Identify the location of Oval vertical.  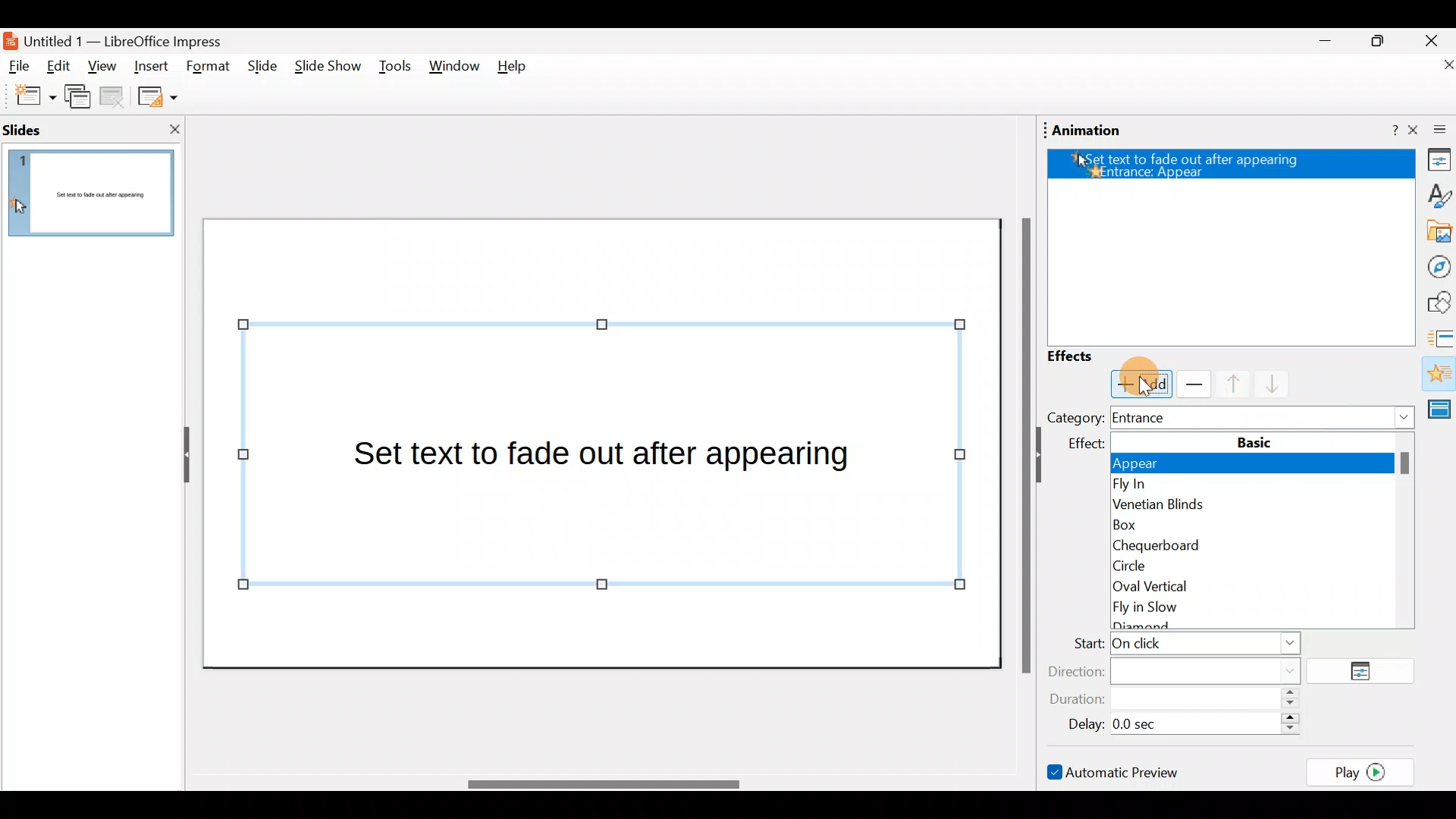
(1257, 586).